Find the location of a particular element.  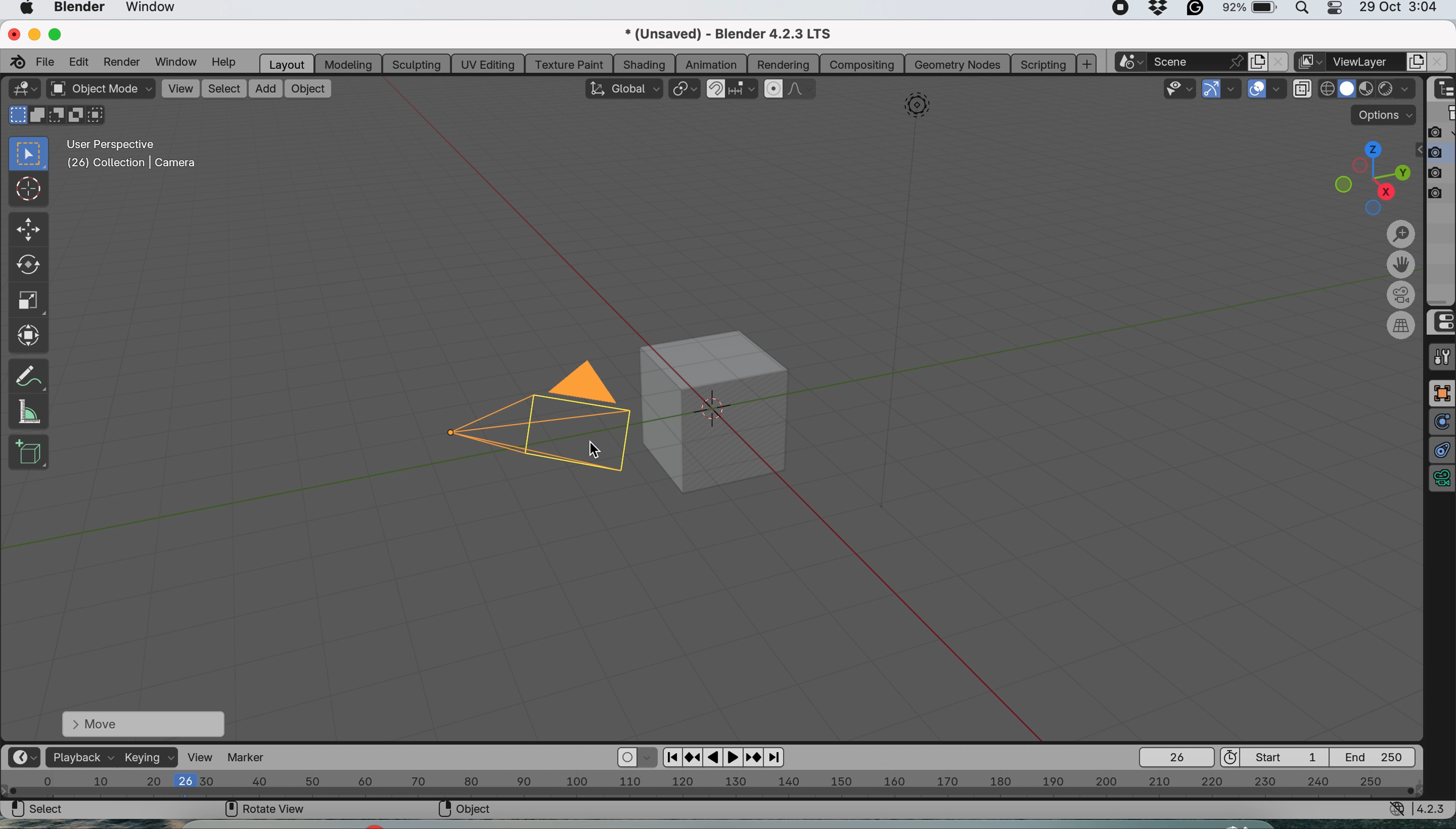

show overlays is located at coordinates (1258, 90).